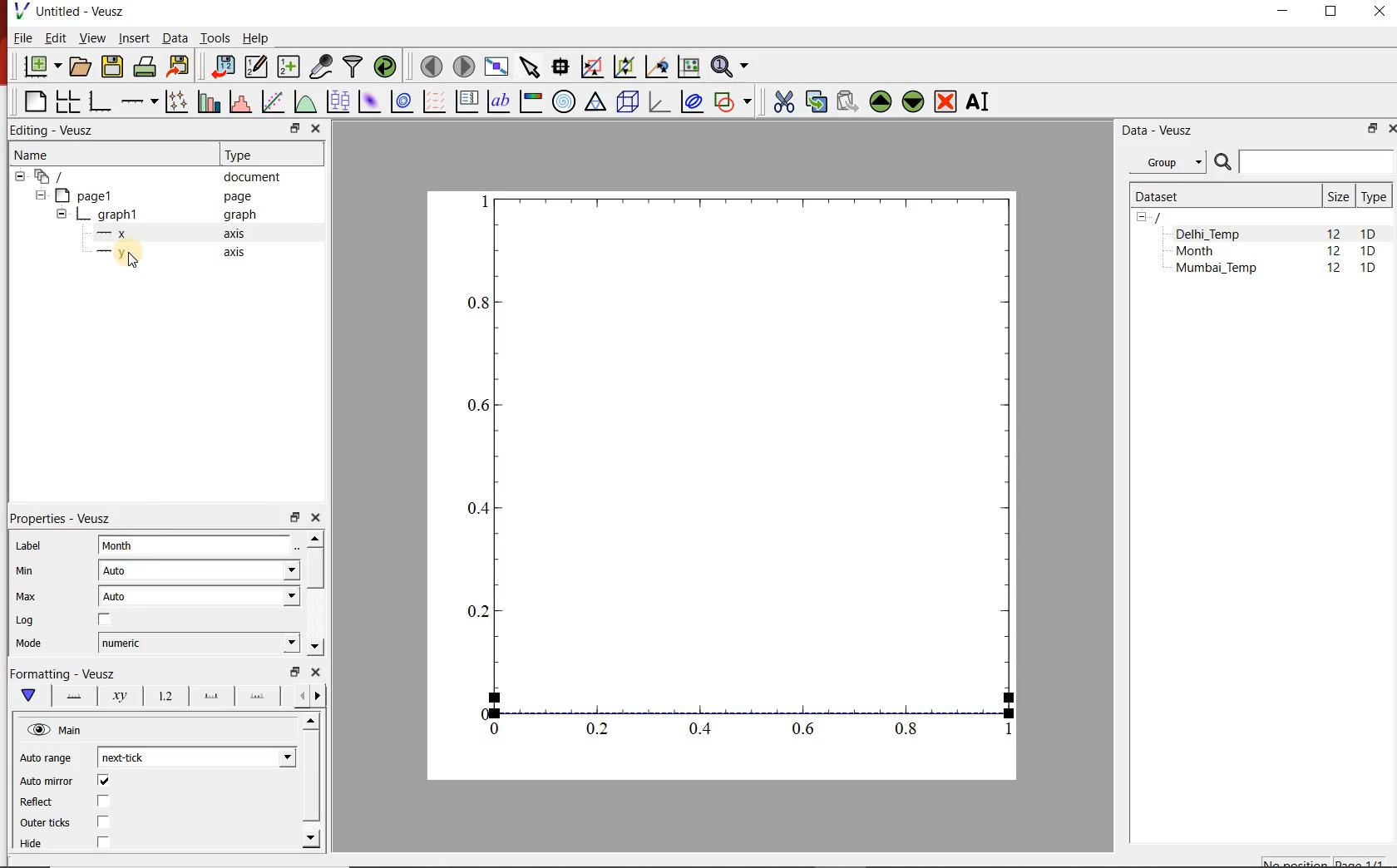  What do you see at coordinates (1338, 196) in the screenshot?
I see `Size` at bounding box center [1338, 196].